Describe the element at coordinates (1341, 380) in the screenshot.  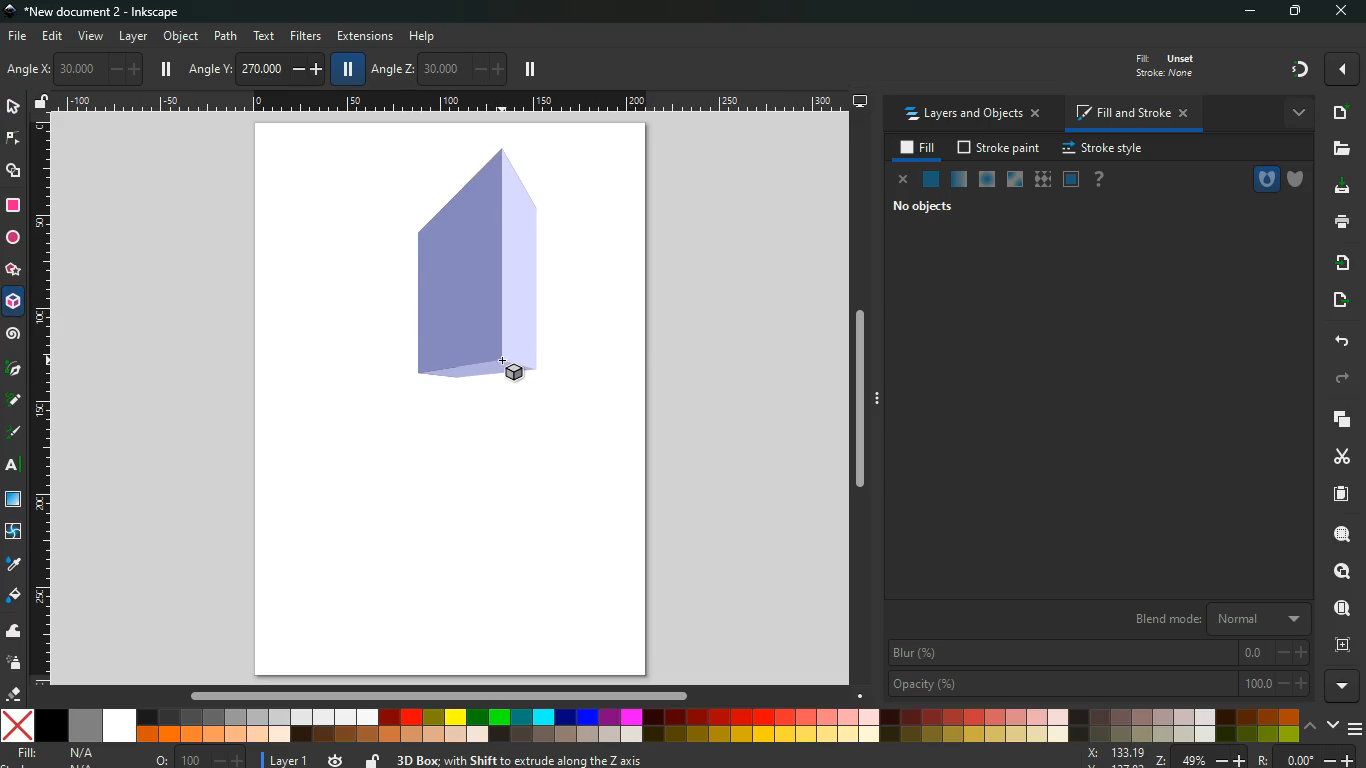
I see `forward` at that location.